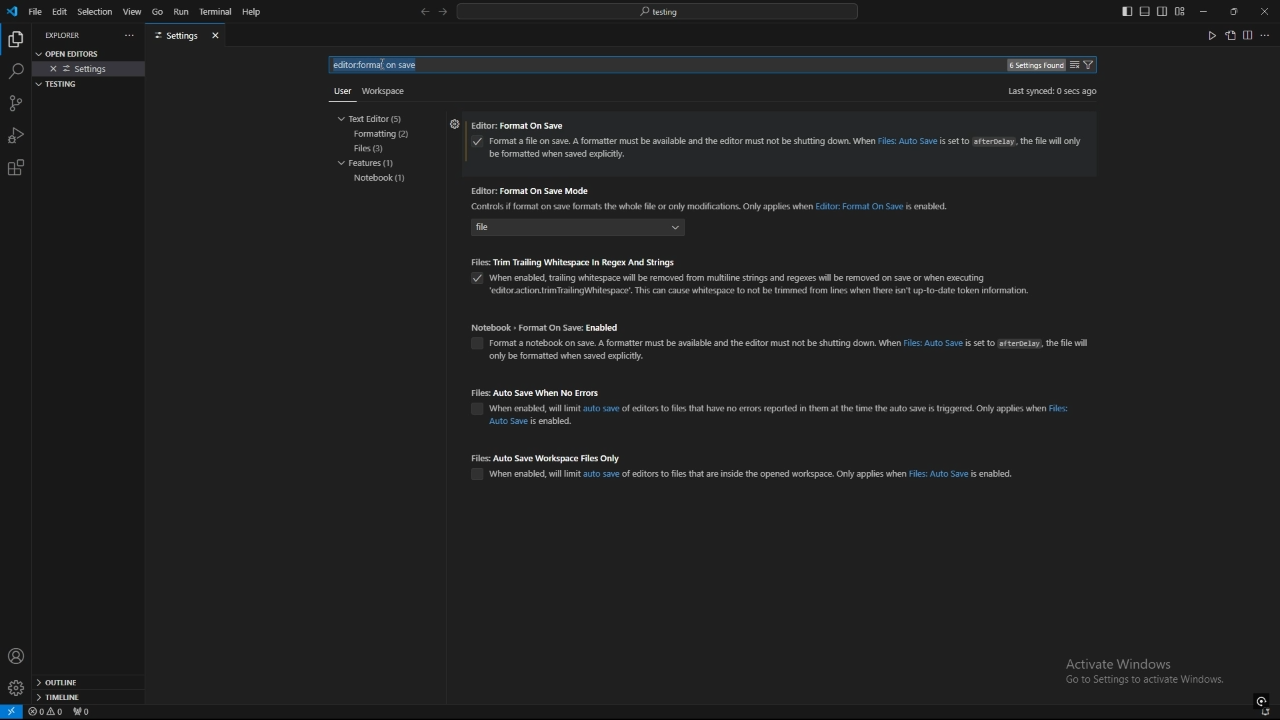 This screenshot has height=720, width=1280. I want to click on notifications, so click(1267, 713).